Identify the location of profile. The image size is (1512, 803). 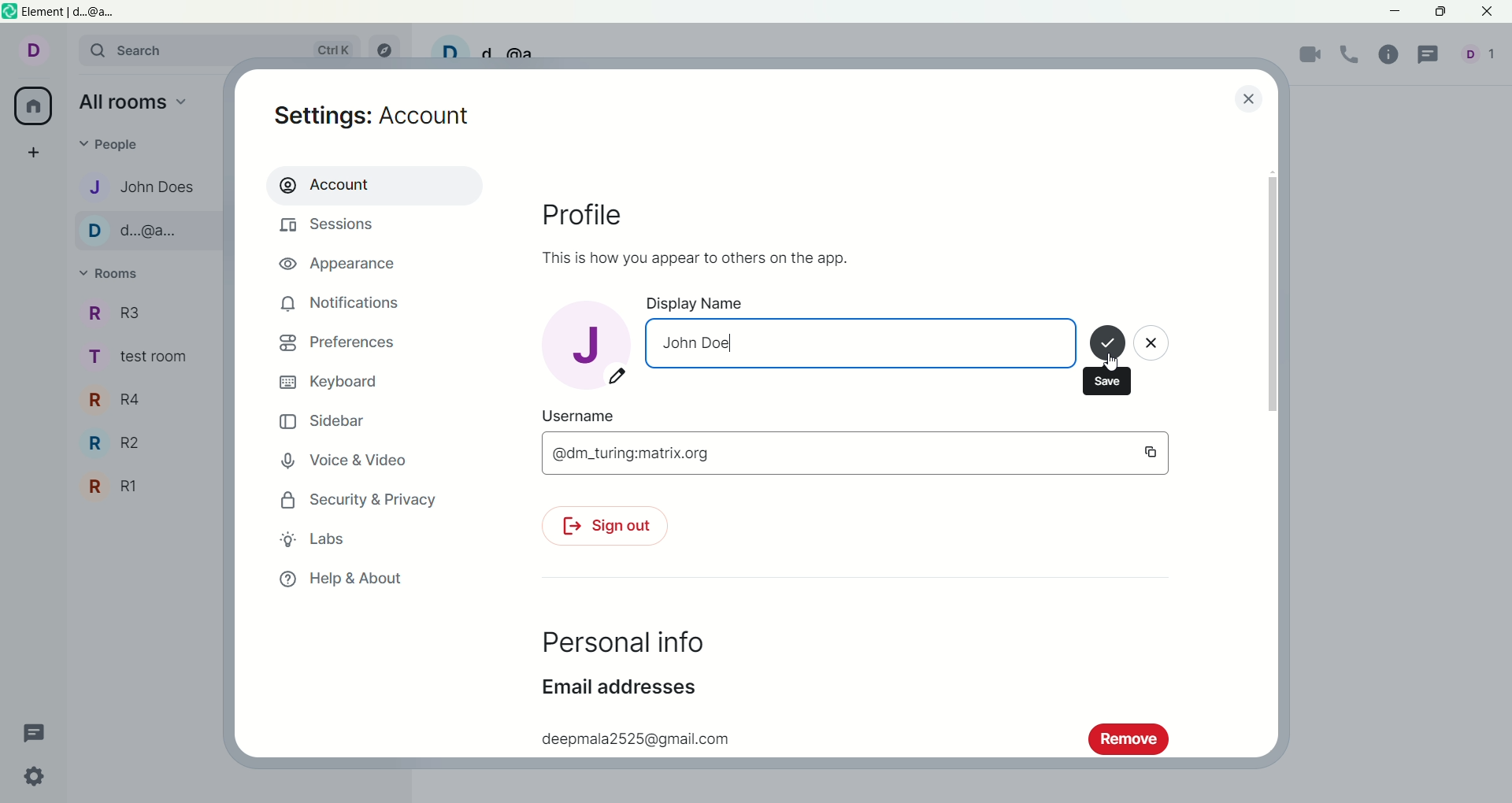
(597, 219).